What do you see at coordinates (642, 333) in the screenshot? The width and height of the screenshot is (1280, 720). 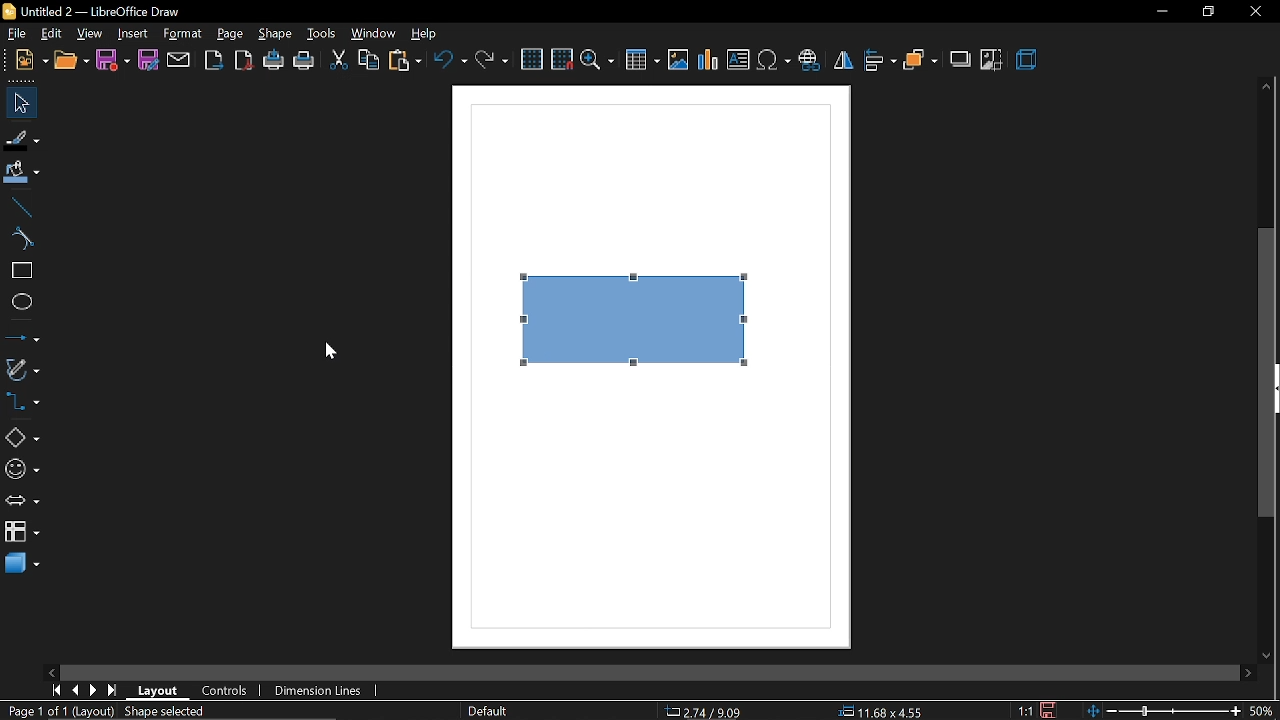 I see `Current shape` at bounding box center [642, 333].